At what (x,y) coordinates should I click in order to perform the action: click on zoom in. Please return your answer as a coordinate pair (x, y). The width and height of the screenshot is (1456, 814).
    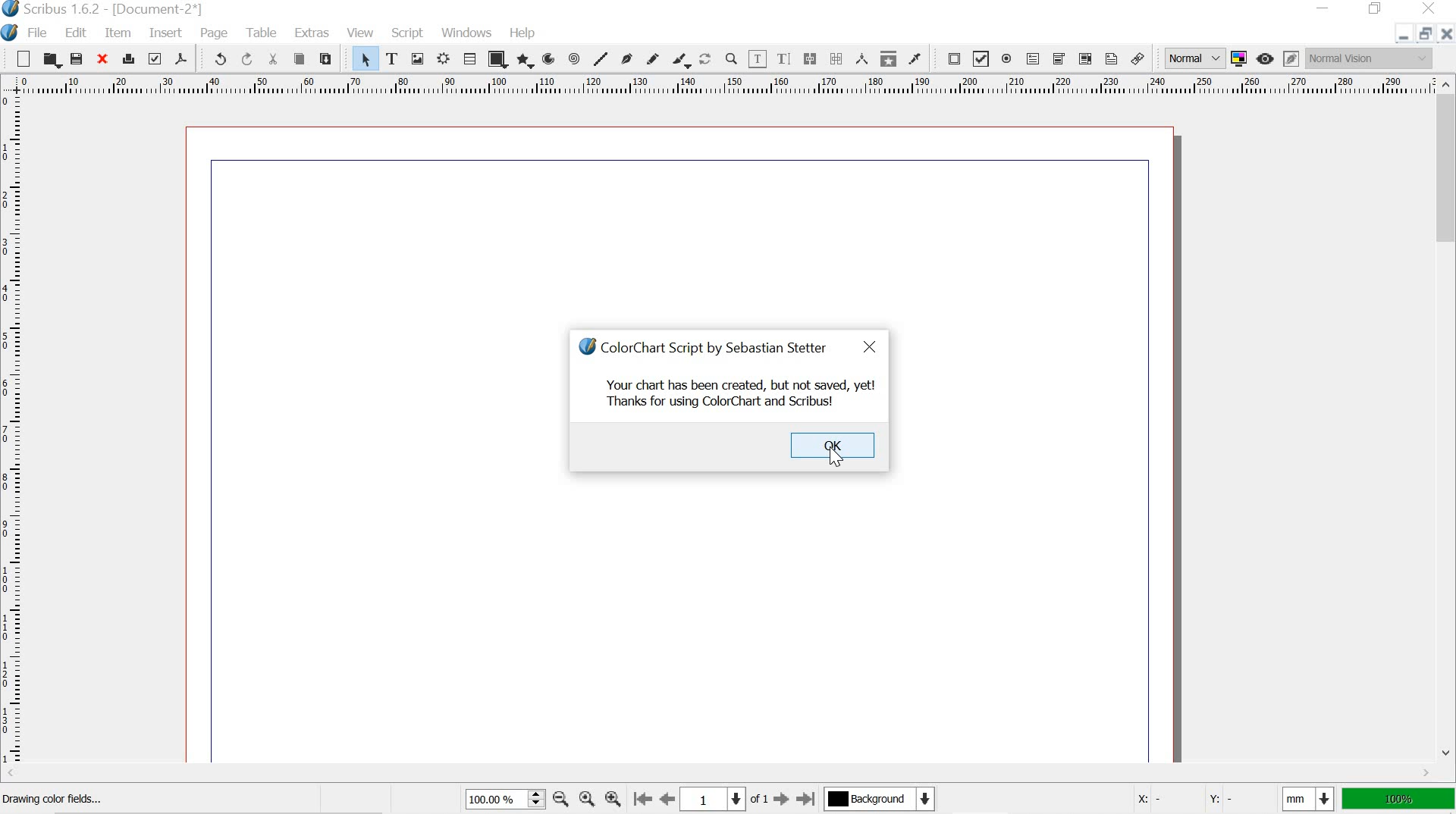
    Looking at the image, I should click on (611, 798).